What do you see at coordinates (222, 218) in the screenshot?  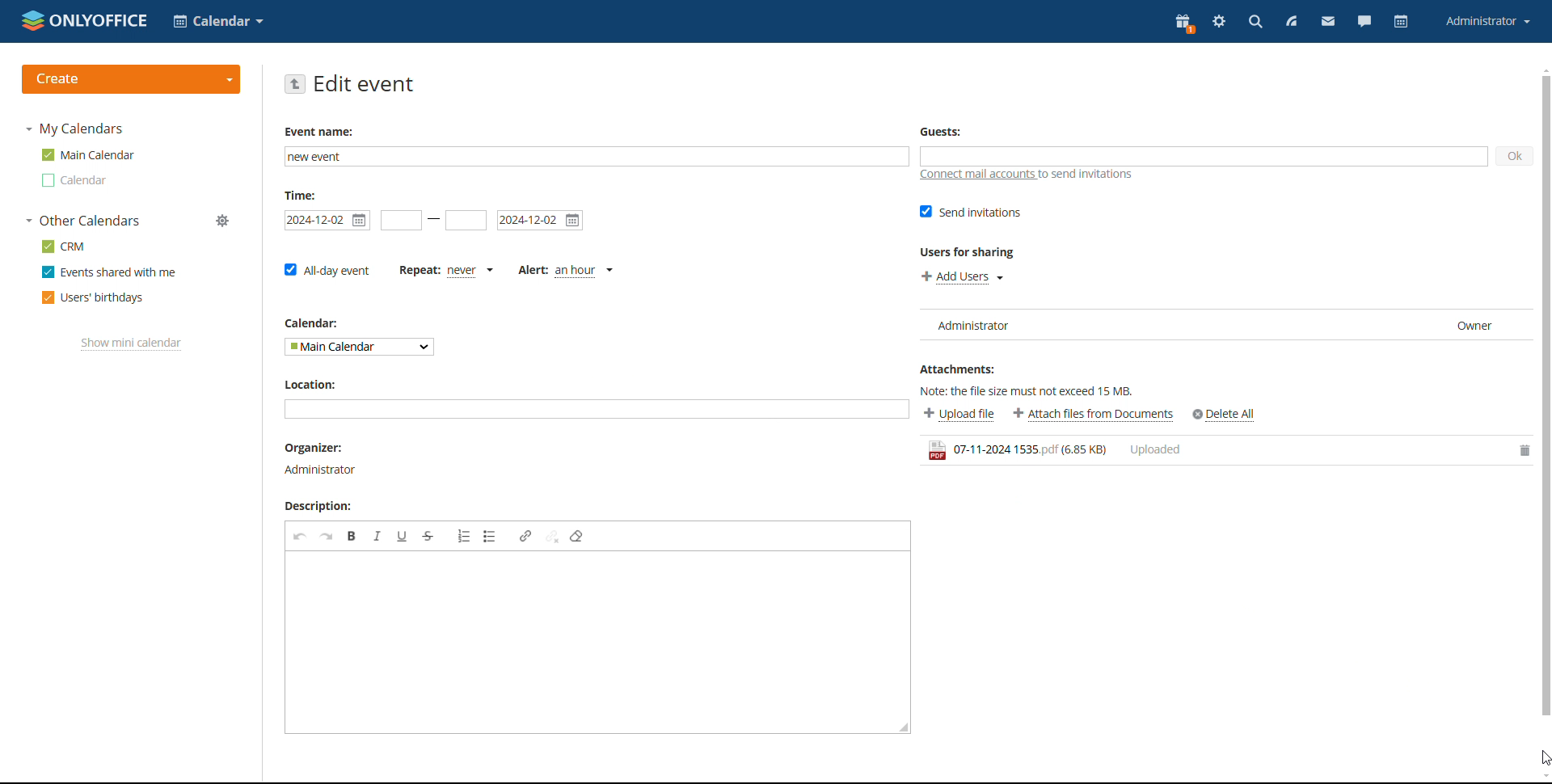 I see `` at bounding box center [222, 218].